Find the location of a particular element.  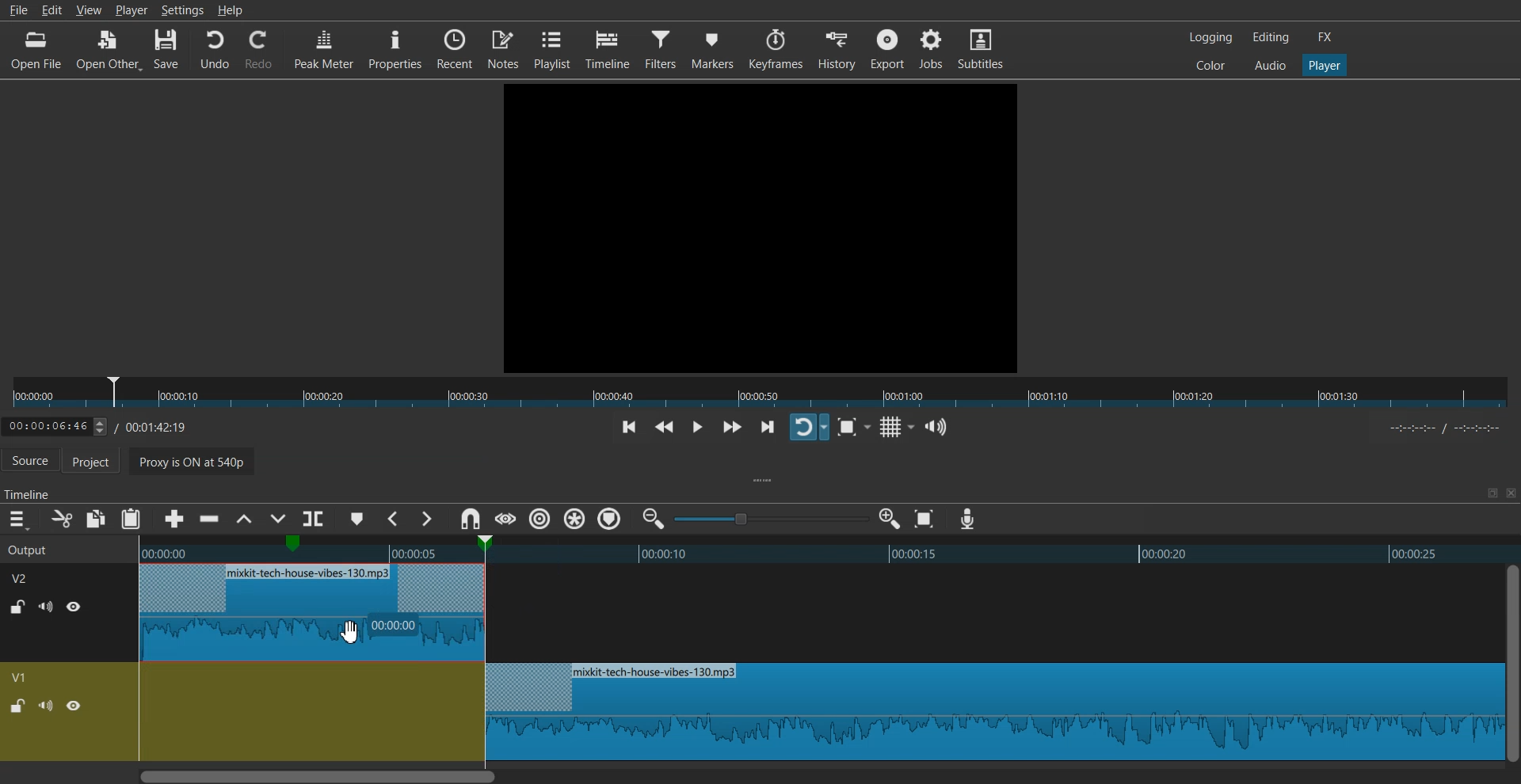

Vertical Scroll bar is located at coordinates (1511, 663).